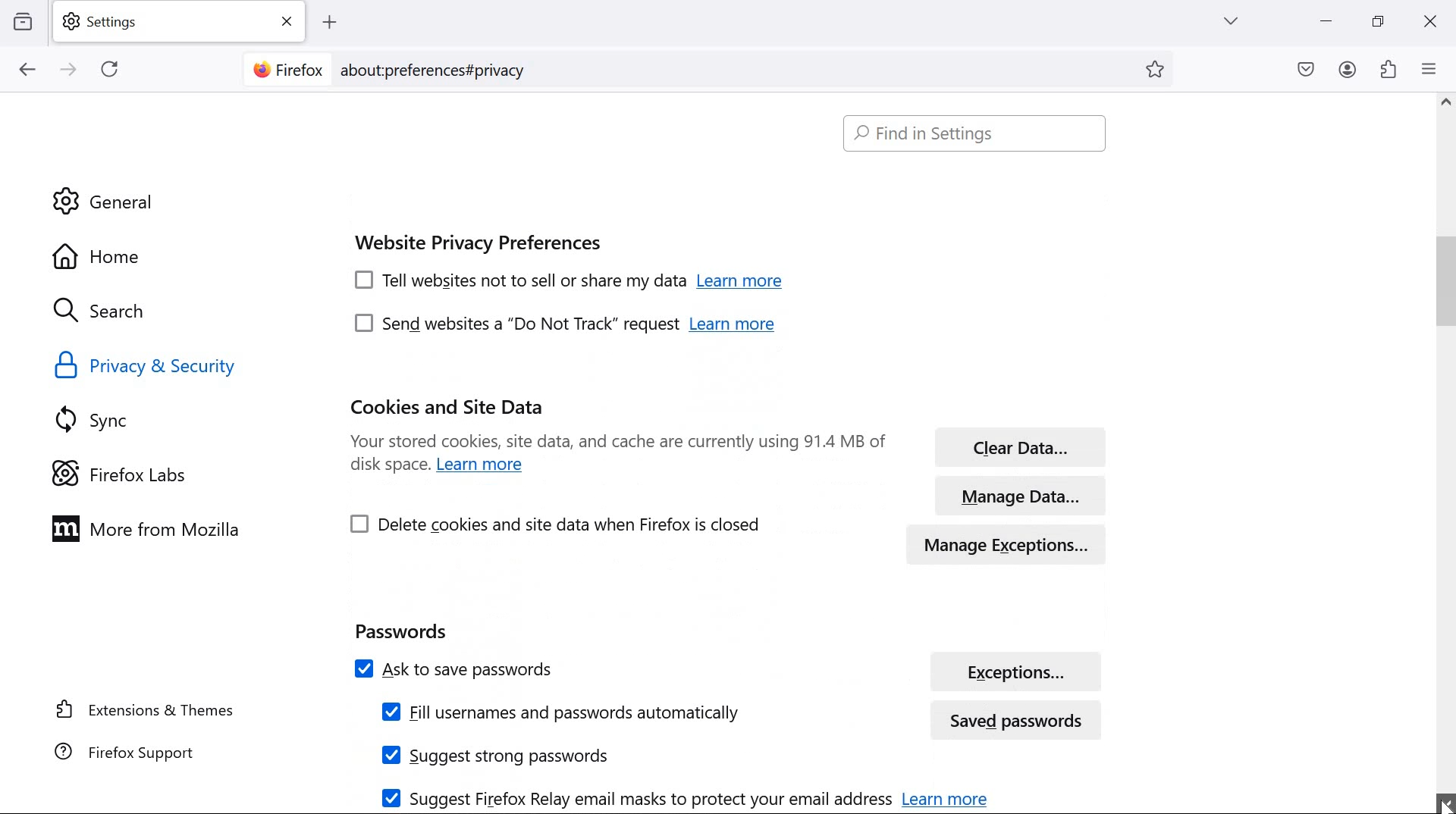 The width and height of the screenshot is (1456, 814). Describe the element at coordinates (99, 419) in the screenshot. I see `sync` at that location.